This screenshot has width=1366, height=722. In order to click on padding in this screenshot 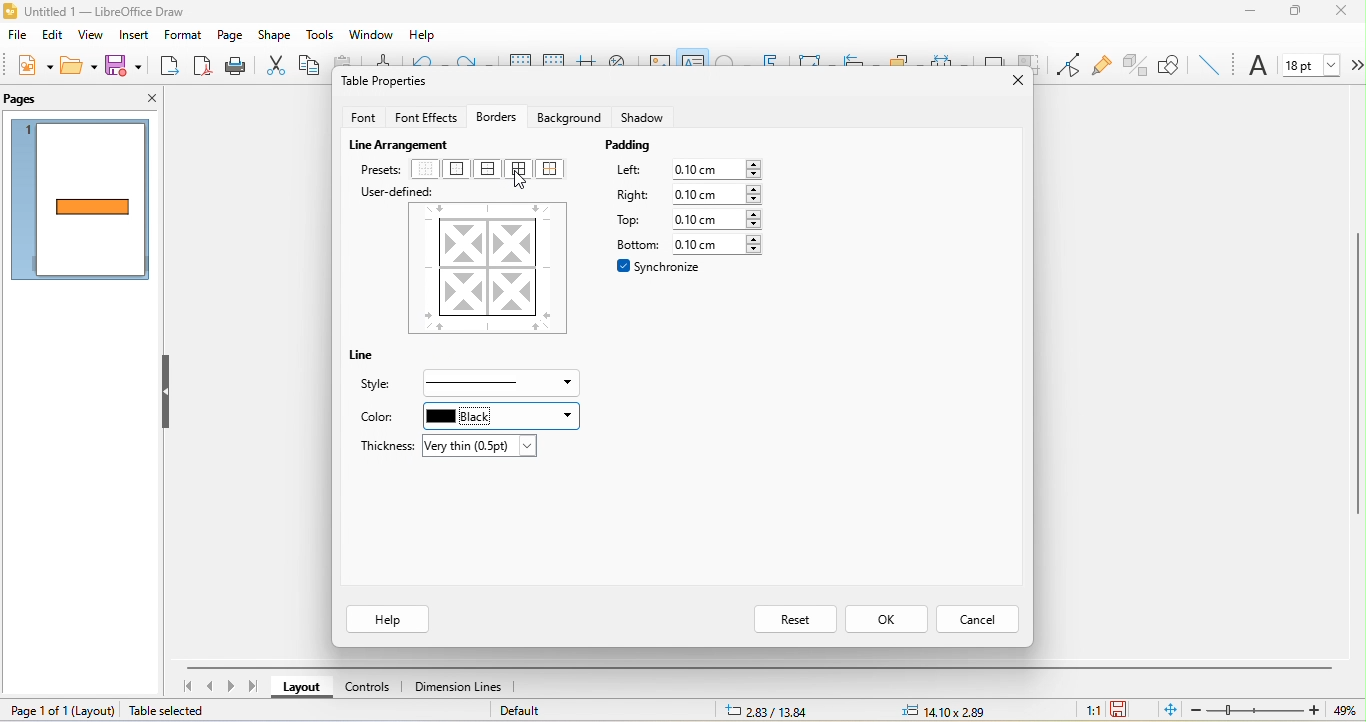, I will do `click(634, 147)`.